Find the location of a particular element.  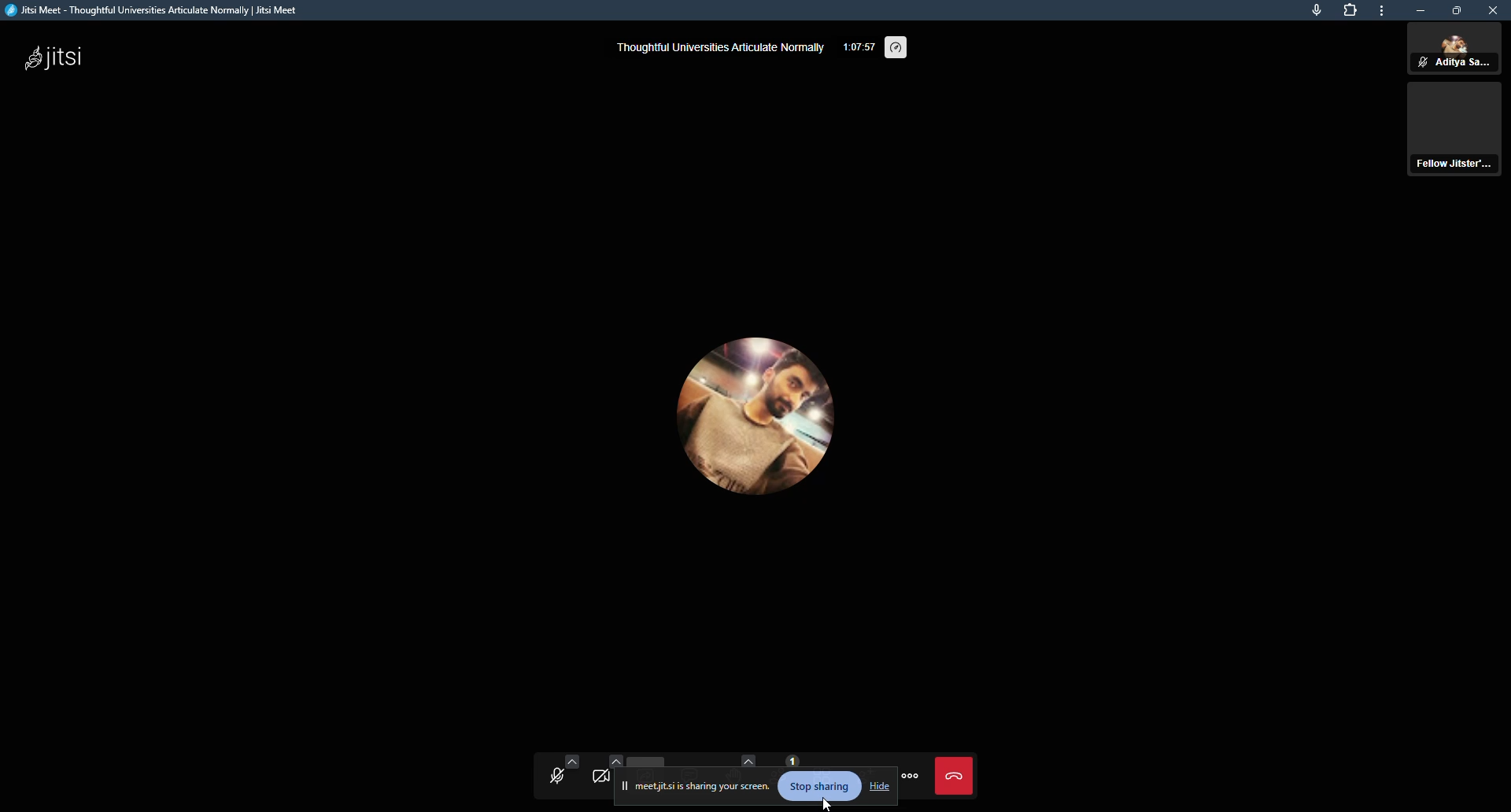

performance settings is located at coordinates (900, 45).